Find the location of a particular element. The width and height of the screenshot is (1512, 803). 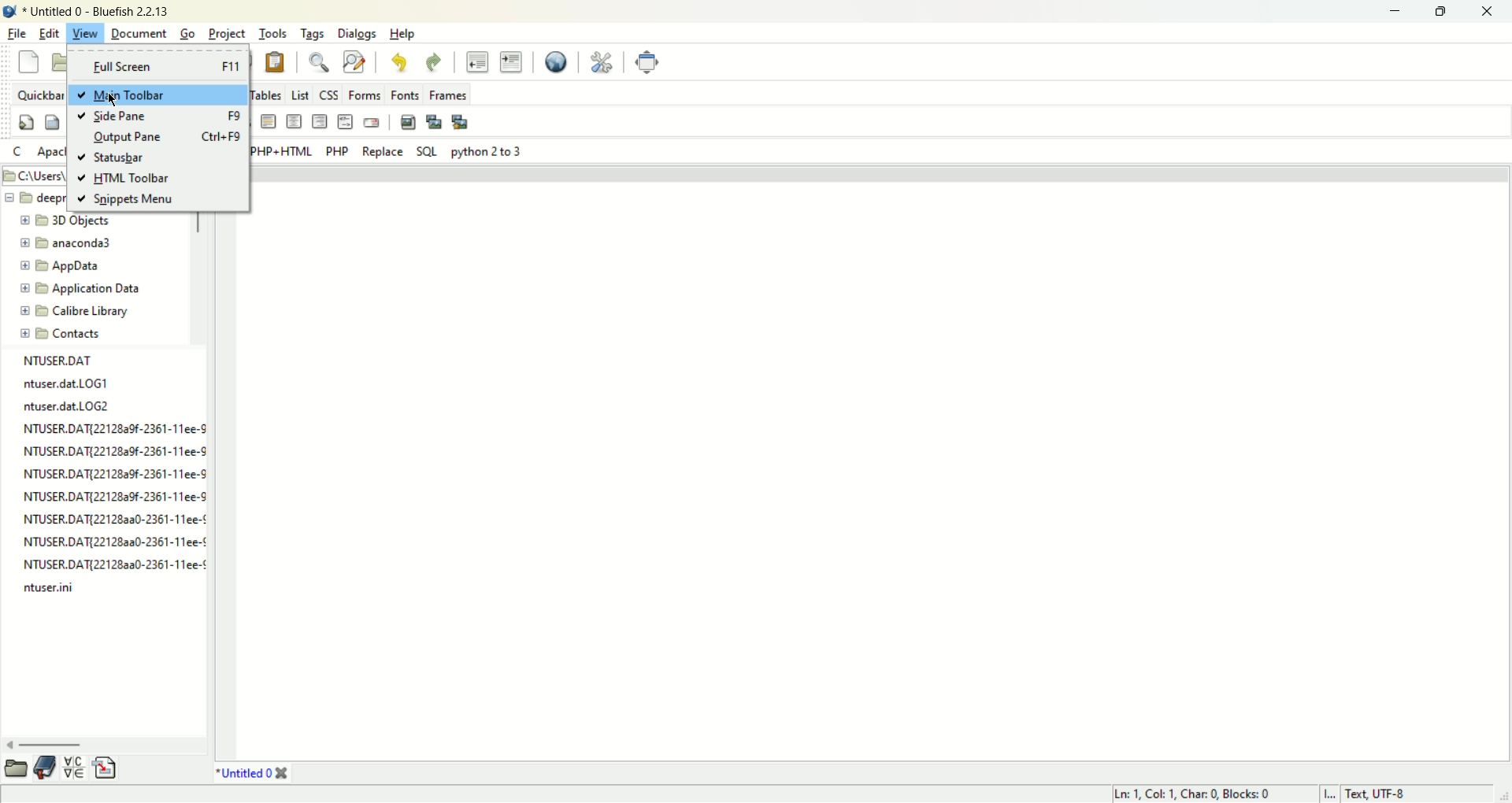

NTUSER.DAT{22128a9f-2361-11ee-9 is located at coordinates (116, 451).